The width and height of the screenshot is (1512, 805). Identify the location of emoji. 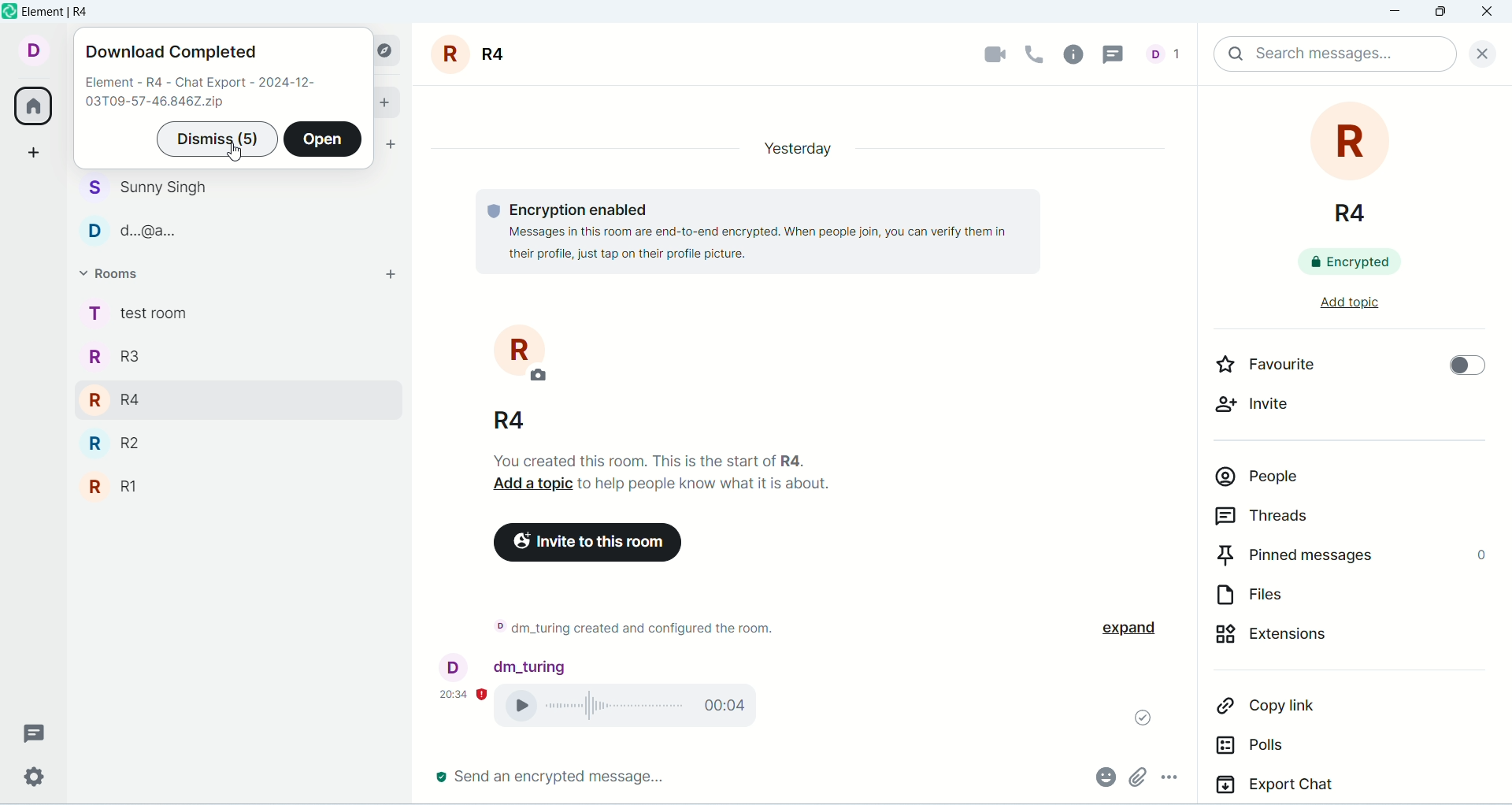
(1103, 775).